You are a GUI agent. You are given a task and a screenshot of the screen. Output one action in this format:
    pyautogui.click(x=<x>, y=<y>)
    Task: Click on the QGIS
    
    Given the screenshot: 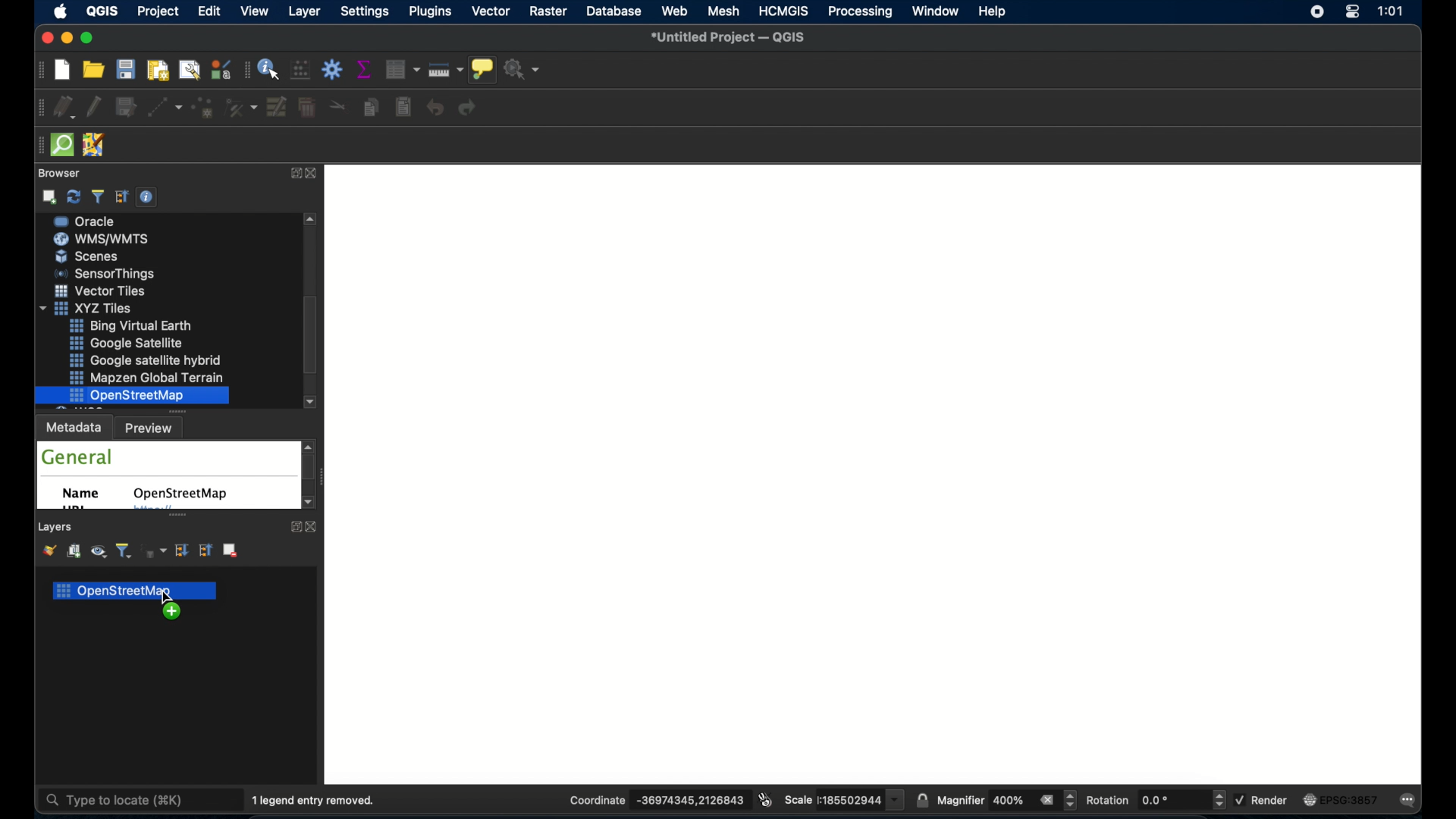 What is the action you would take?
    pyautogui.click(x=102, y=11)
    